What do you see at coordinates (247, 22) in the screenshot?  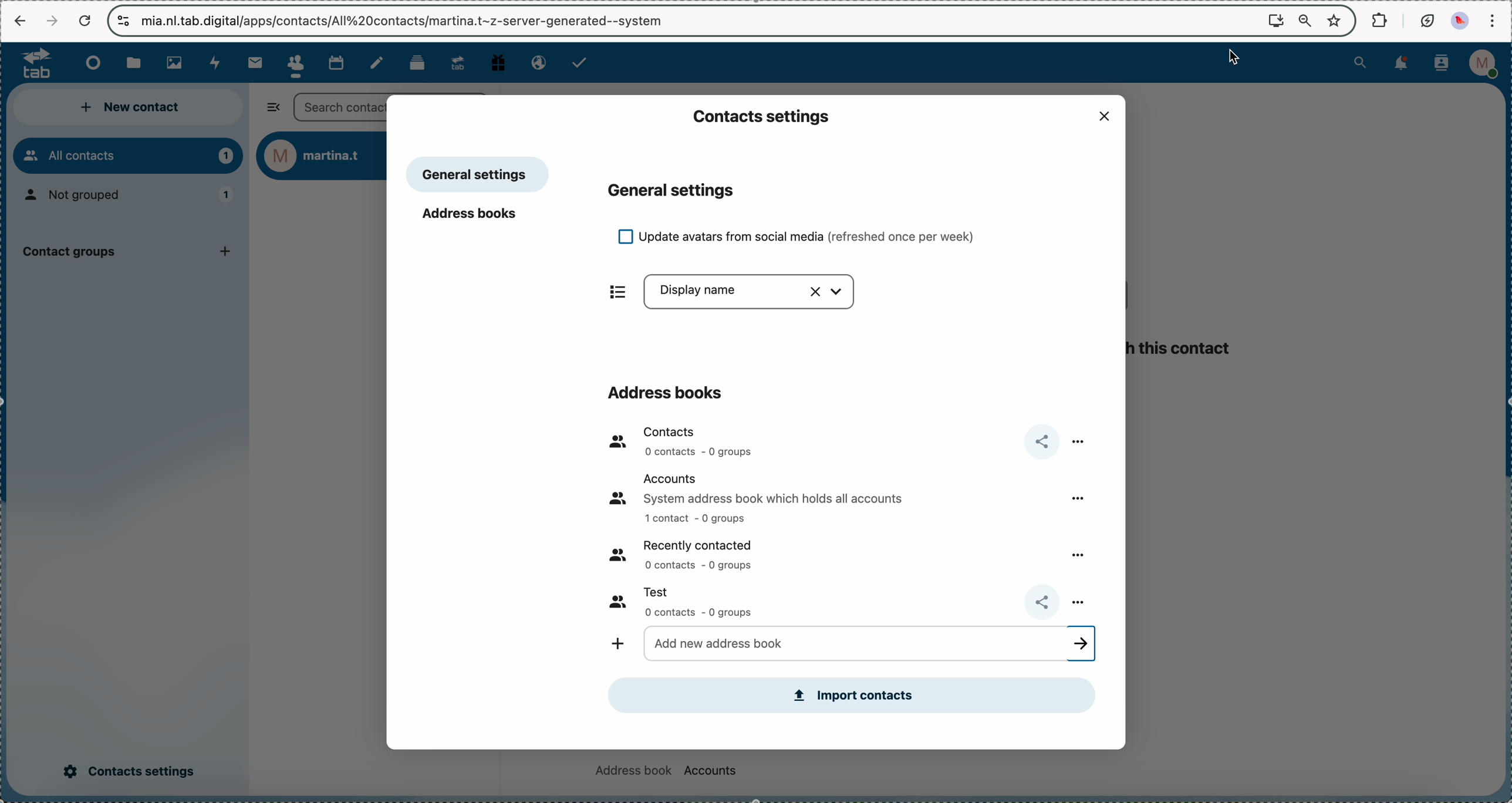 I see `url` at bounding box center [247, 22].